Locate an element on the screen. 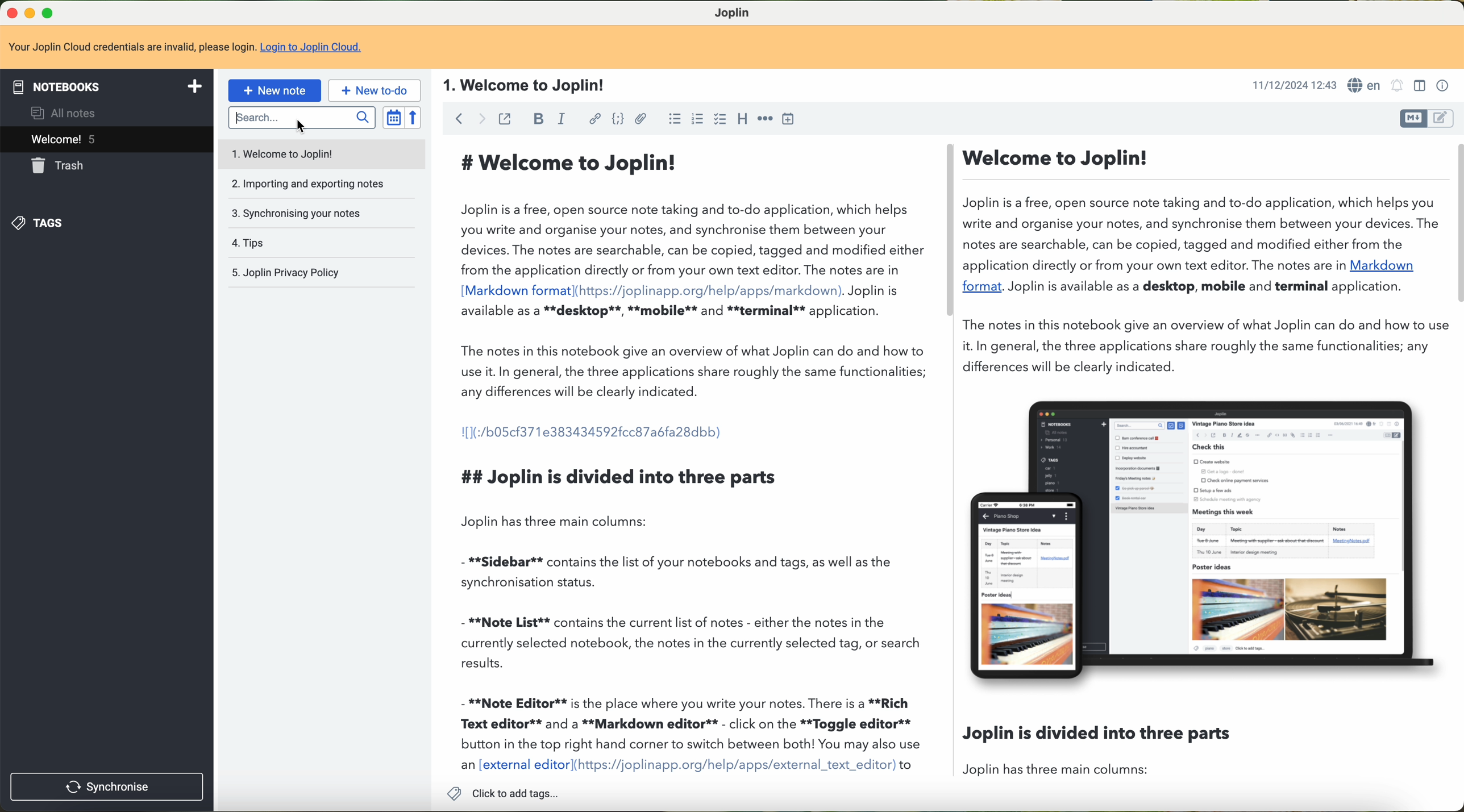 This screenshot has width=1464, height=812. typing on the search bar is located at coordinates (300, 121).